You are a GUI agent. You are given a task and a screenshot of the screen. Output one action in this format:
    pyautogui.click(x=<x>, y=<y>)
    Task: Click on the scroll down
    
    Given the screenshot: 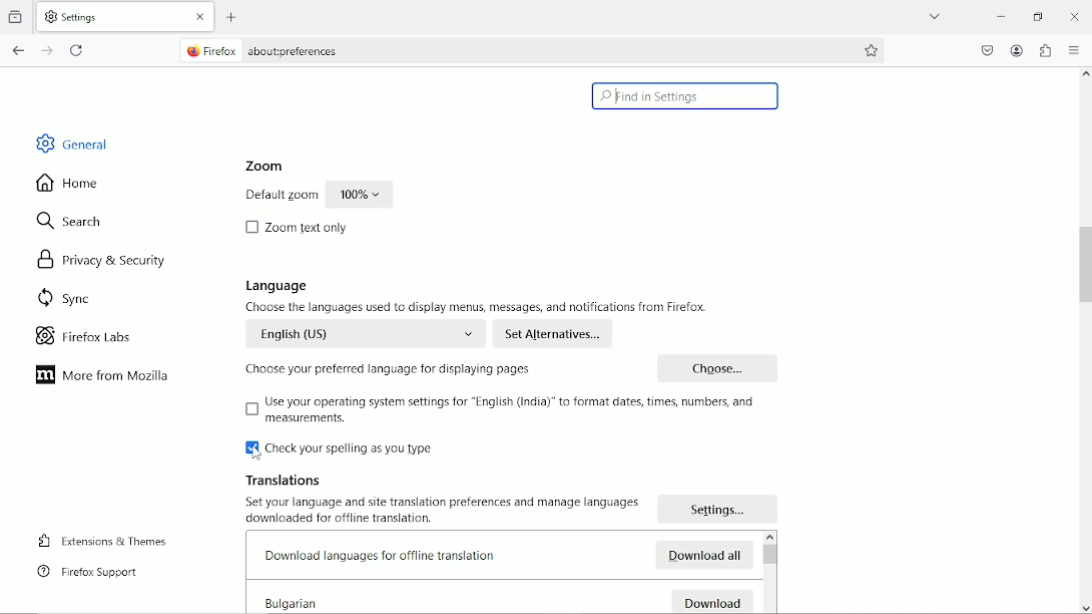 What is the action you would take?
    pyautogui.click(x=1085, y=607)
    